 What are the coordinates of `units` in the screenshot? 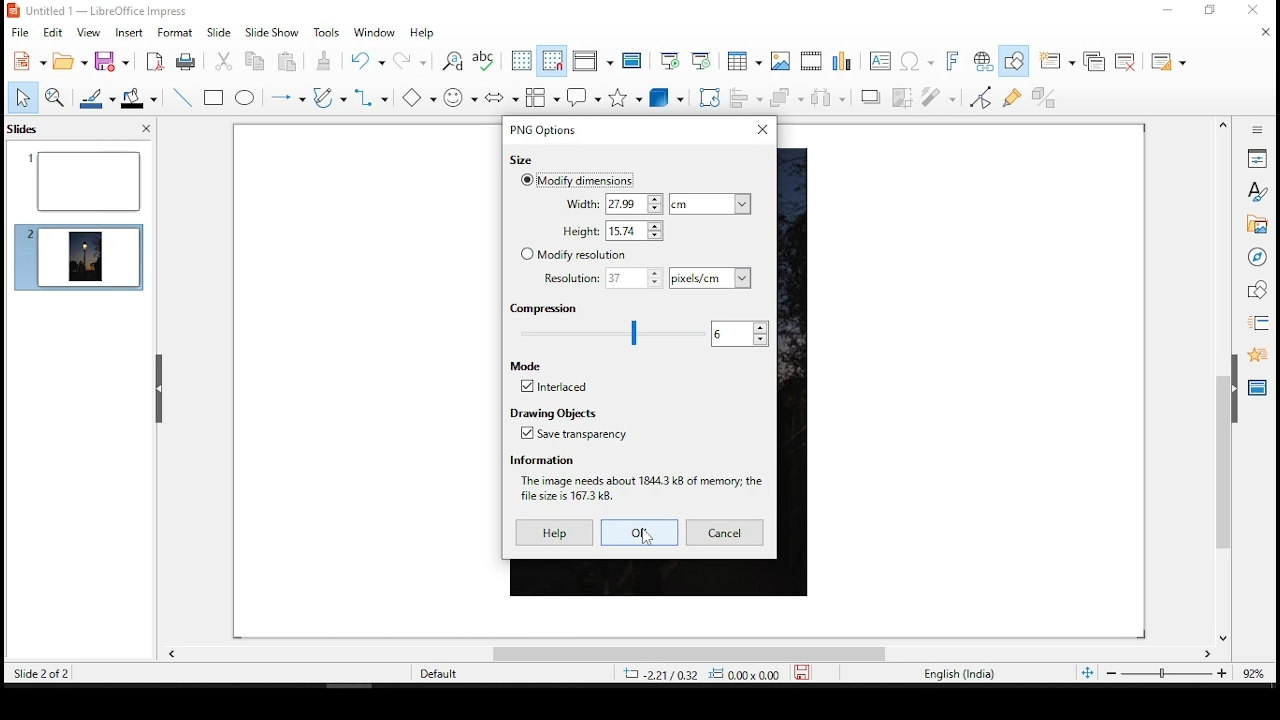 It's located at (710, 278).